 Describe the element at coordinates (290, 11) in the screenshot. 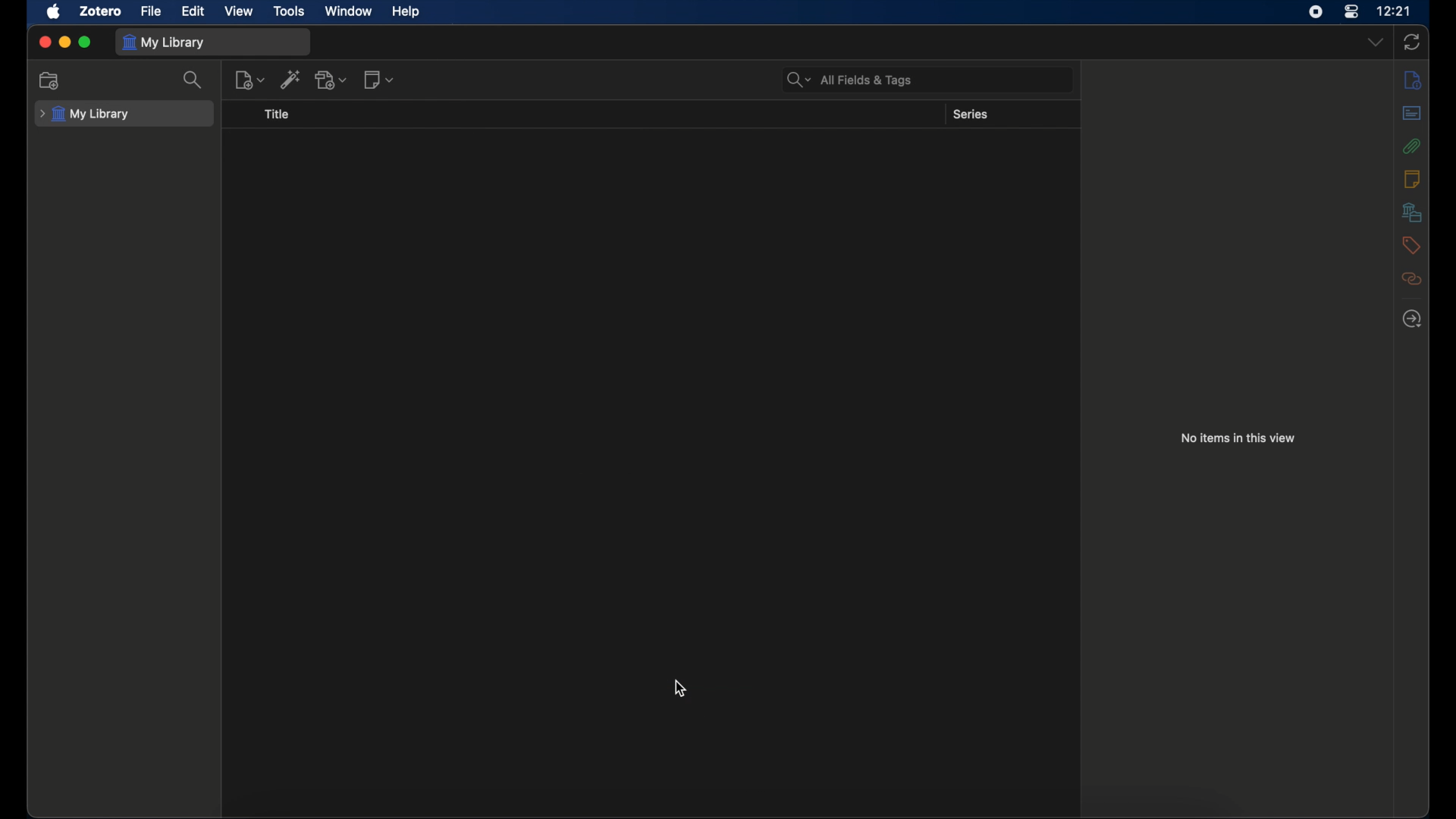

I see `tools` at that location.